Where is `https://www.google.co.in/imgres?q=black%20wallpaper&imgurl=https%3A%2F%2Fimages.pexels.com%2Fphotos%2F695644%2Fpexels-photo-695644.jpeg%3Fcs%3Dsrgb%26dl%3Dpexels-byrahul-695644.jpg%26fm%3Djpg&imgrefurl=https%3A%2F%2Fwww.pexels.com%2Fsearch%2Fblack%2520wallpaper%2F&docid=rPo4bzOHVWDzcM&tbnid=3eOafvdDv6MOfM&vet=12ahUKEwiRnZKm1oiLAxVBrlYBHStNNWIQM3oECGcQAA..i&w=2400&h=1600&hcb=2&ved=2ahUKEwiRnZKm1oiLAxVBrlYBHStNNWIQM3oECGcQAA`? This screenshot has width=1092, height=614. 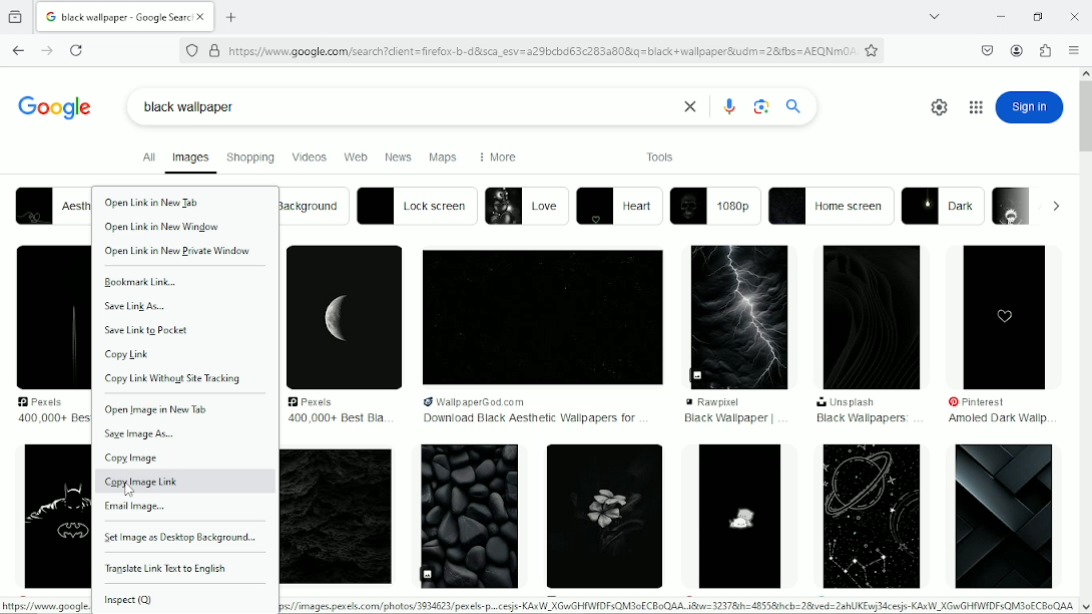
https://www.google.co.in/imgres?q=black%20wallpaper&imgurl=https%3A%2F%2Fimages.pexels.com%2Fphotos%2F695644%2Fpexels-photo-695644.jpeg%3Fcs%3Dsrgb%26dl%3Dpexels-byrahul-695644.jpg%26fm%3Djpg&imgrefurl=https%3A%2F%2Fwww.pexels.com%2Fsearch%2Fblack%2520wallpaper%2F&docid=rPo4bzOHVWDzcM&tbnid=3eOafvdDv6MOfM&vet=12ahUKEwiRnZKm1oiLAxVBrlYBHStNNWIQM3oECGcQAA..i&w=2400&h=1600&hcb=2&ved=2ahUKEwiRnZKm1oiLAxVBrlYBHStNNWIQM3oECGcQAA is located at coordinates (678, 605).